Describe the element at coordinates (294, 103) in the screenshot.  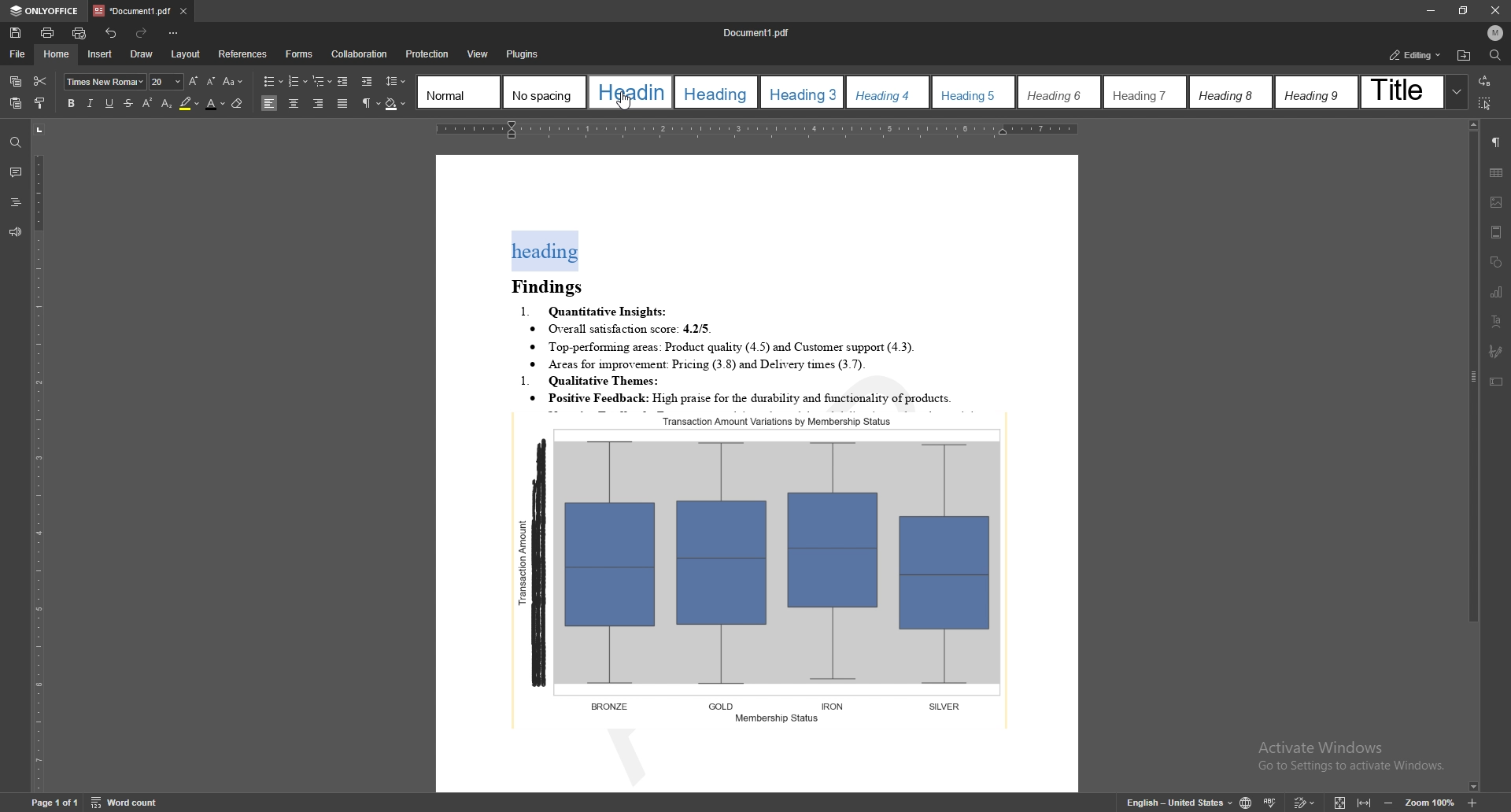
I see `align centre` at that location.